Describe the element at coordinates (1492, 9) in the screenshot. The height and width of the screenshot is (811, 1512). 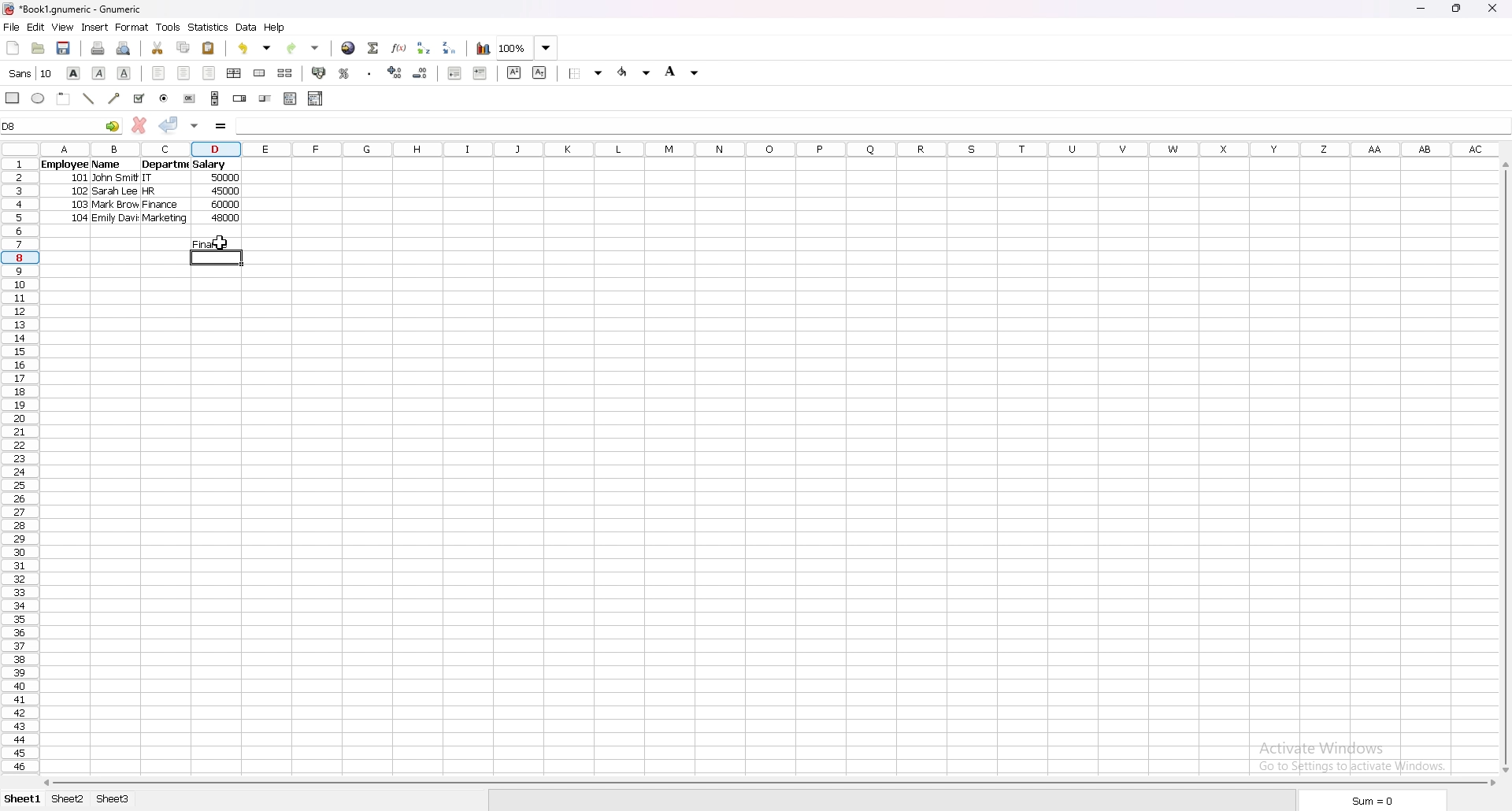
I see `close` at that location.